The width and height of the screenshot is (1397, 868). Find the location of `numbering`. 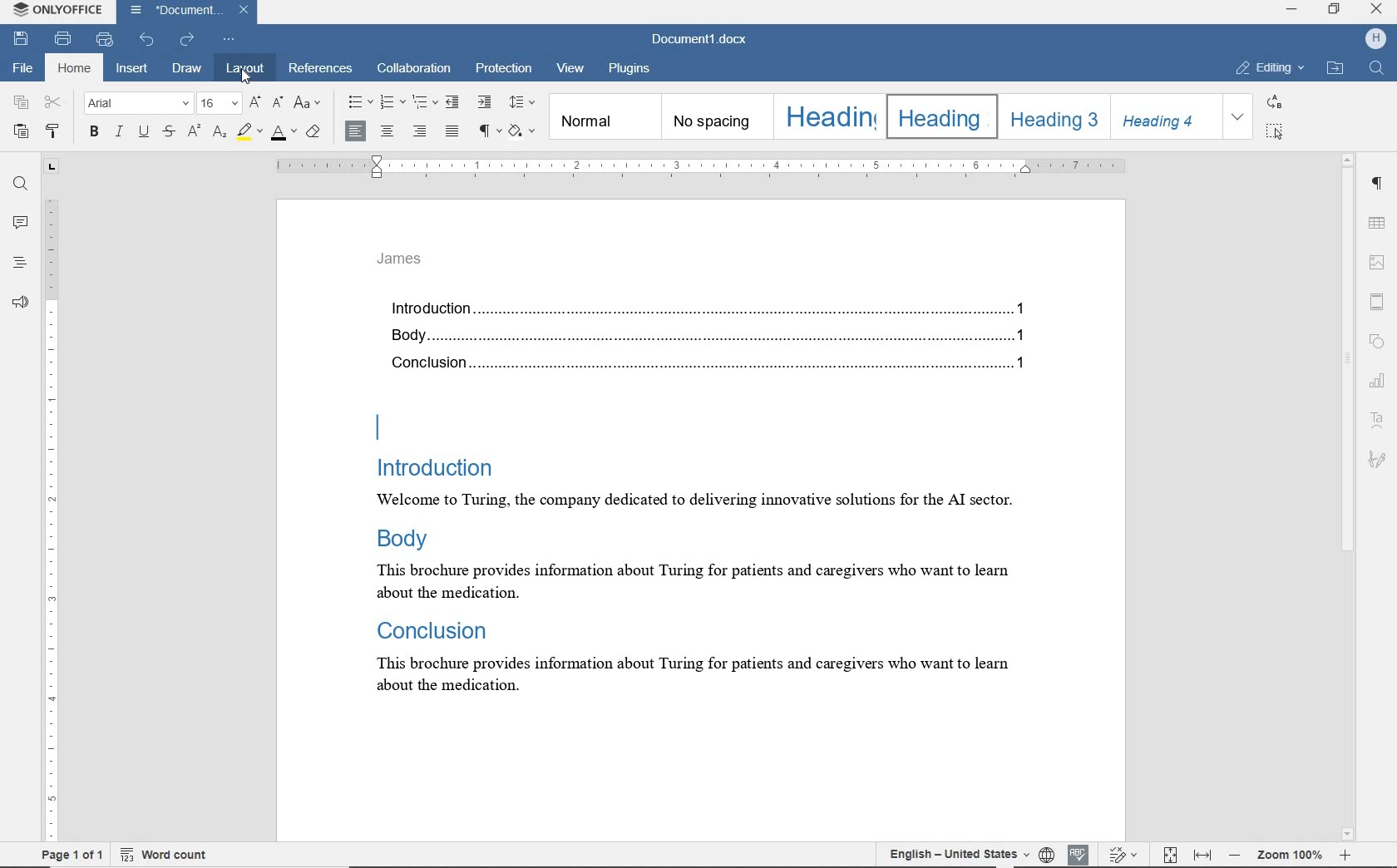

numbering is located at coordinates (392, 104).